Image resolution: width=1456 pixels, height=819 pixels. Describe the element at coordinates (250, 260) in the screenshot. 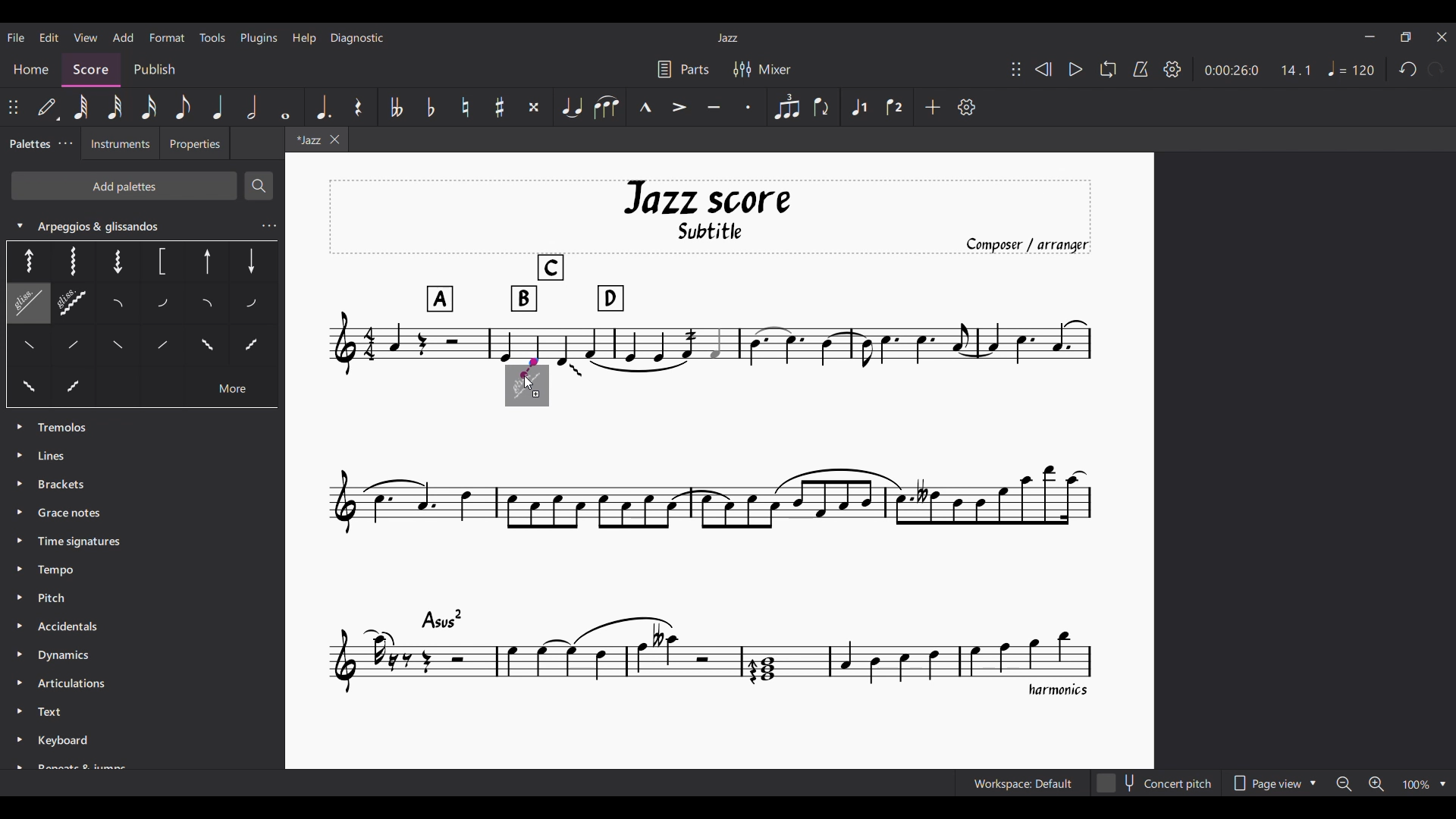

I see `Plate 6` at that location.